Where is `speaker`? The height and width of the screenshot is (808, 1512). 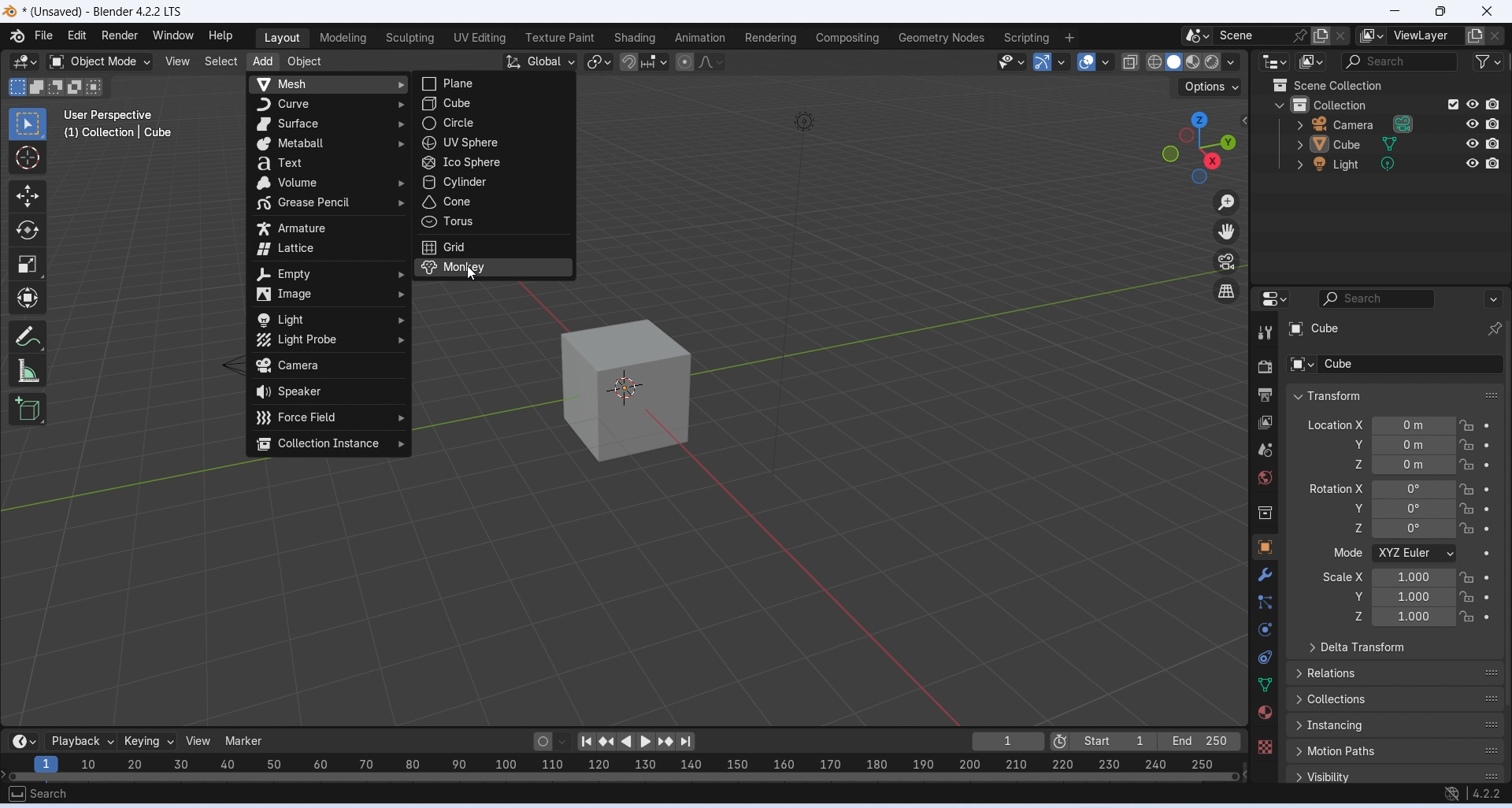 speaker is located at coordinates (328, 391).